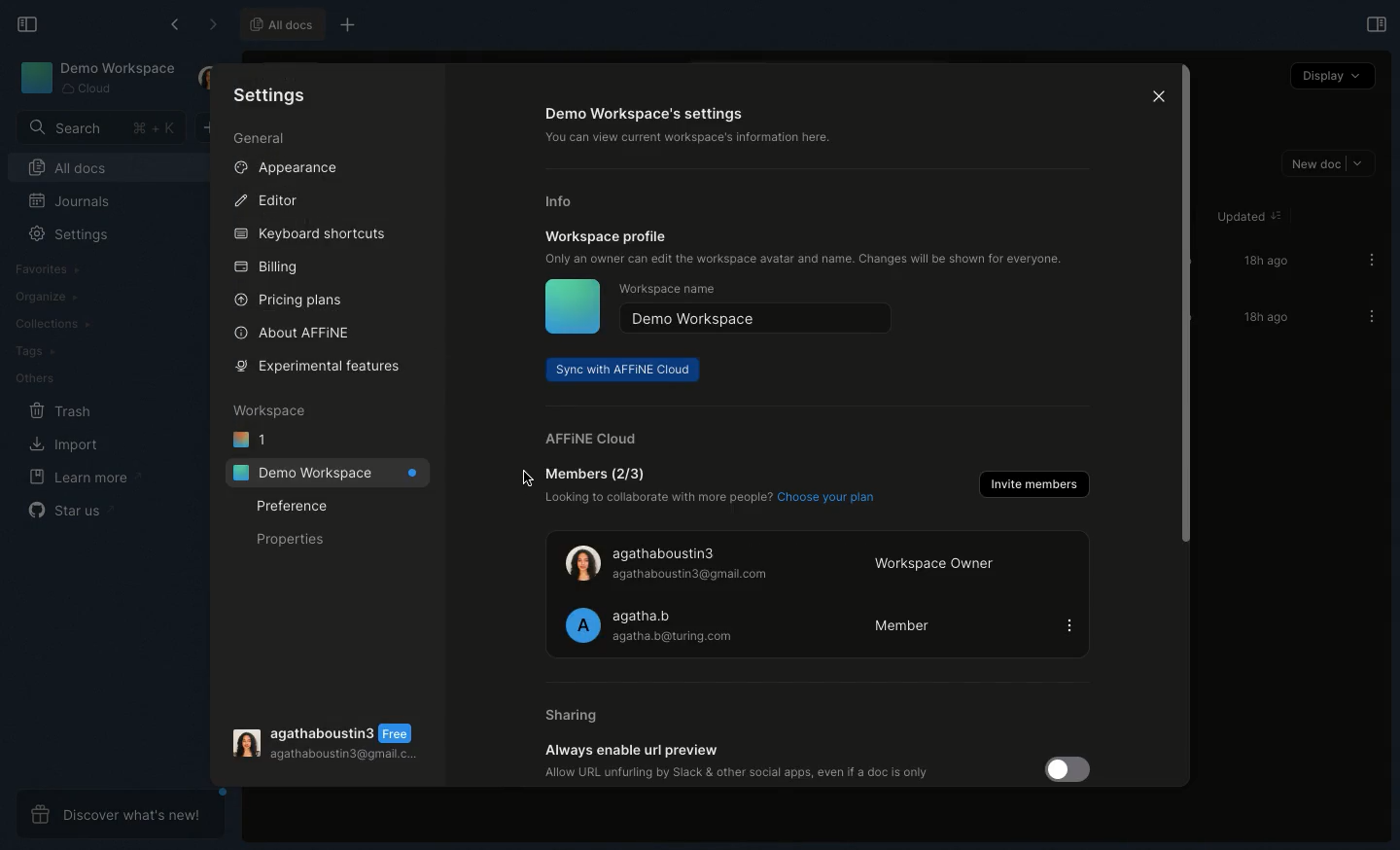 The width and height of the screenshot is (1400, 850). I want to click on Import, so click(65, 445).